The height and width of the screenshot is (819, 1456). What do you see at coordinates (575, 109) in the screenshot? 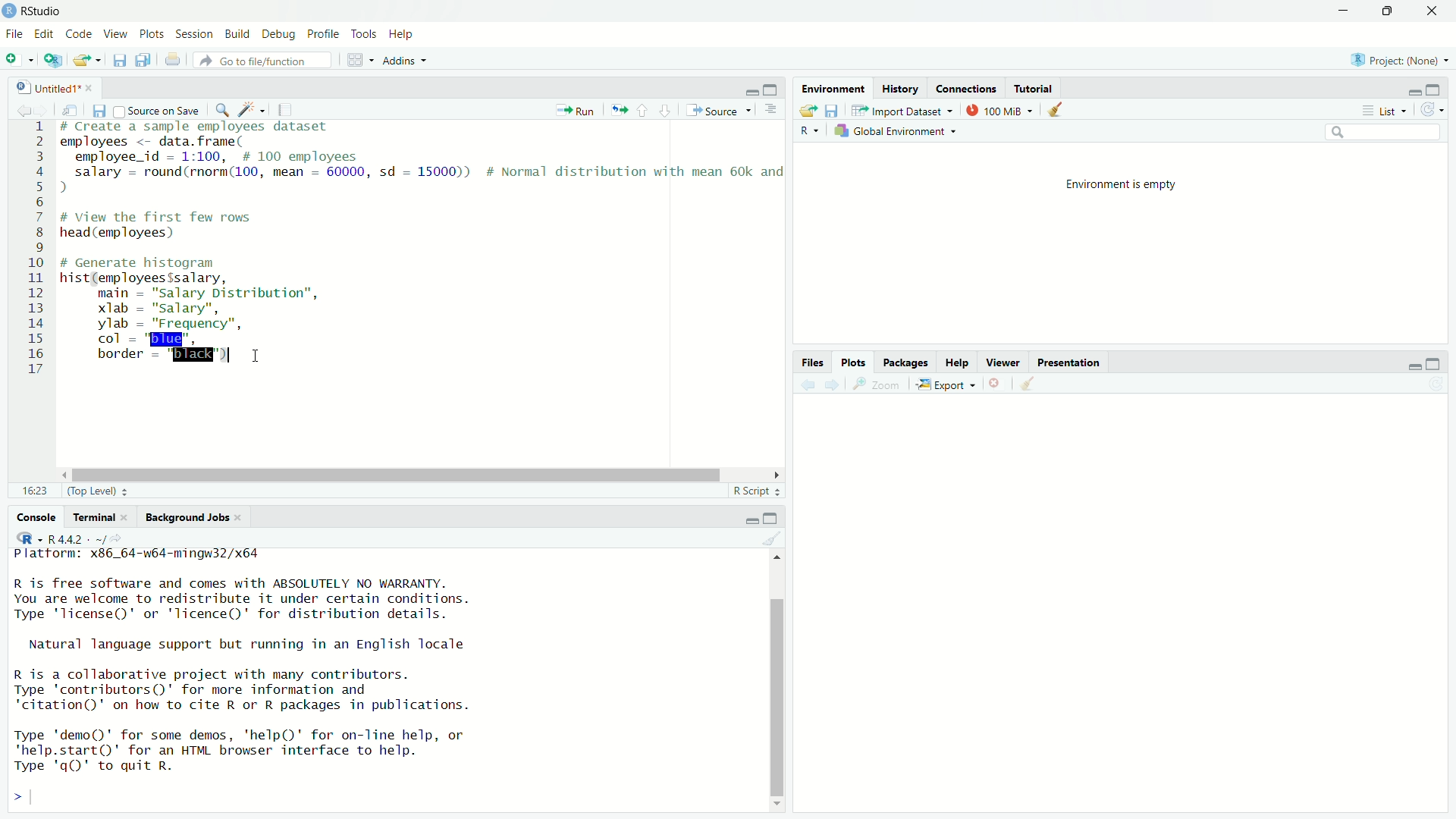
I see `Run` at bounding box center [575, 109].